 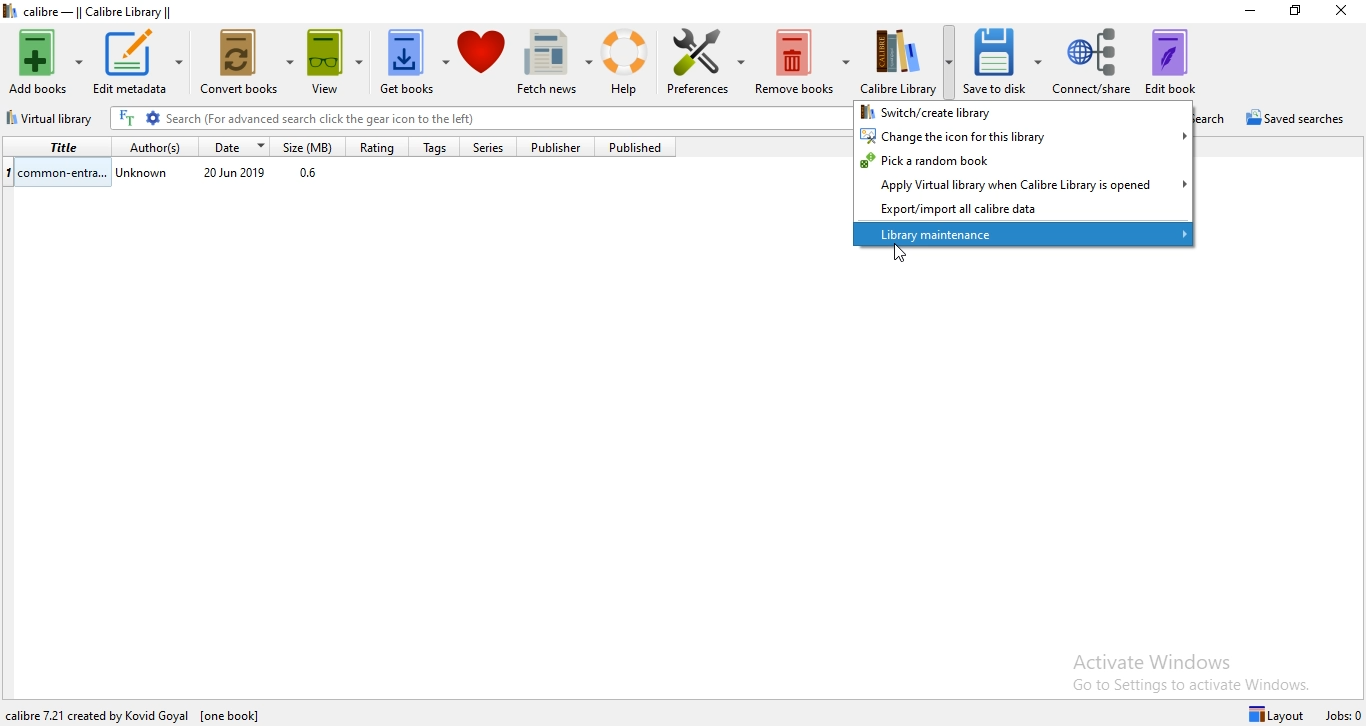 I want to click on Calibre Library, so click(x=908, y=60).